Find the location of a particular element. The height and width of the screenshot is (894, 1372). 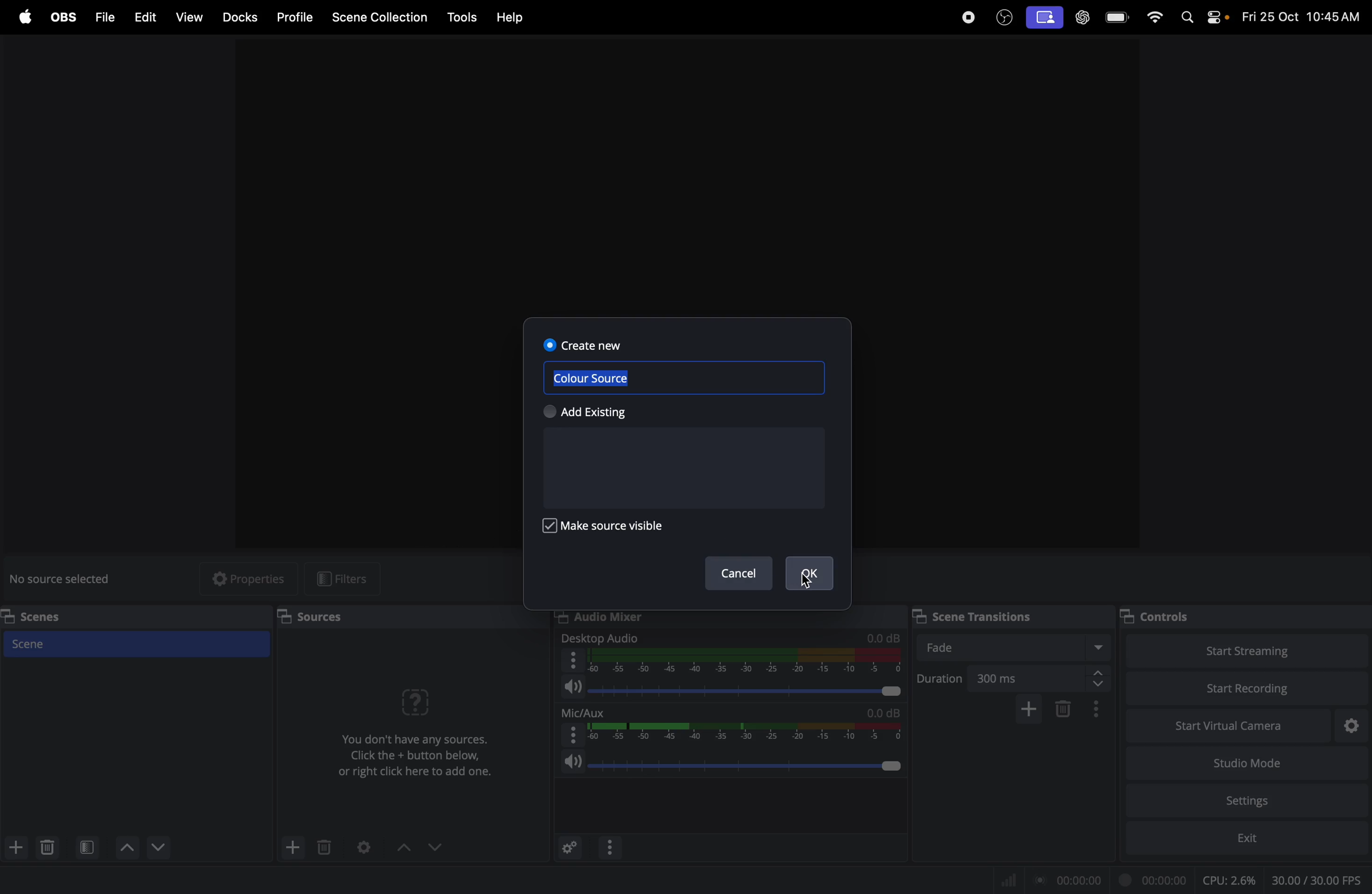

add cofigurable transition is located at coordinates (1028, 709).